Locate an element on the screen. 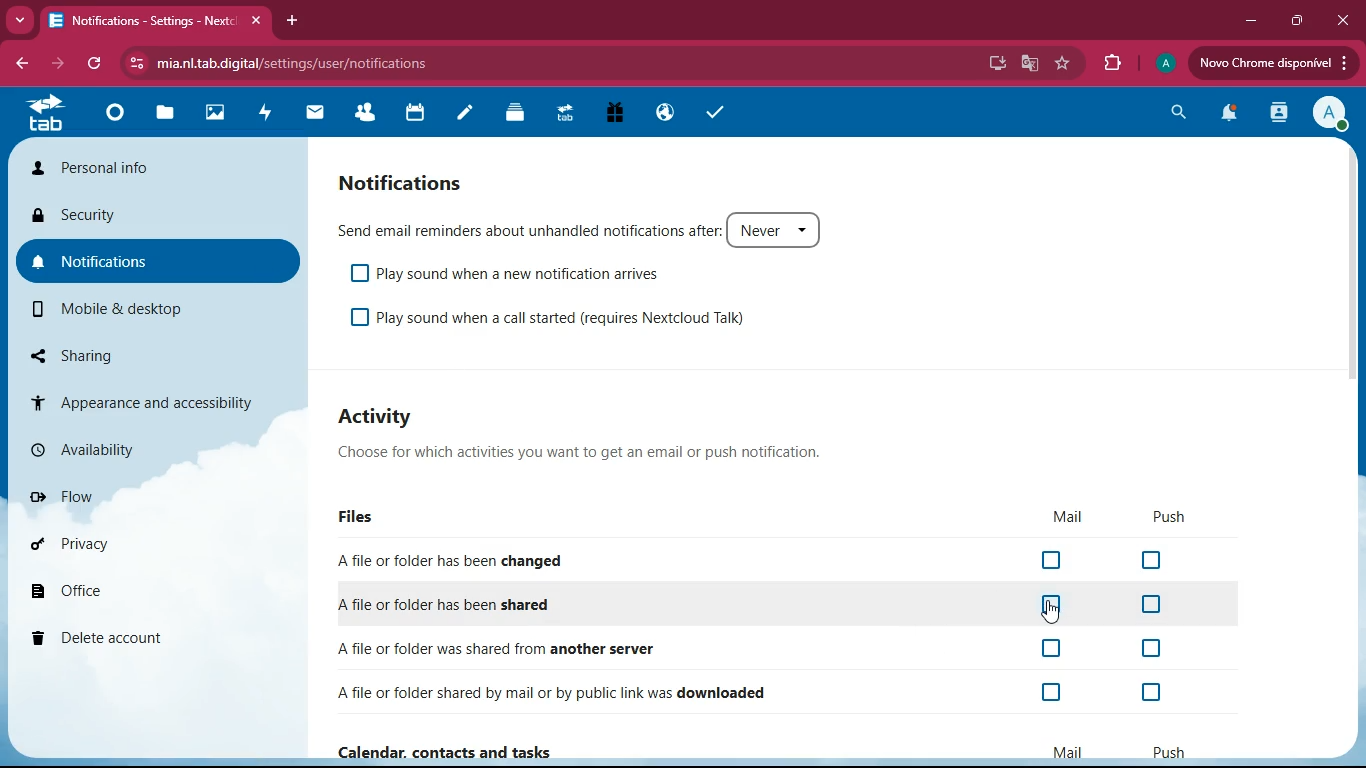  refresh is located at coordinates (97, 62).